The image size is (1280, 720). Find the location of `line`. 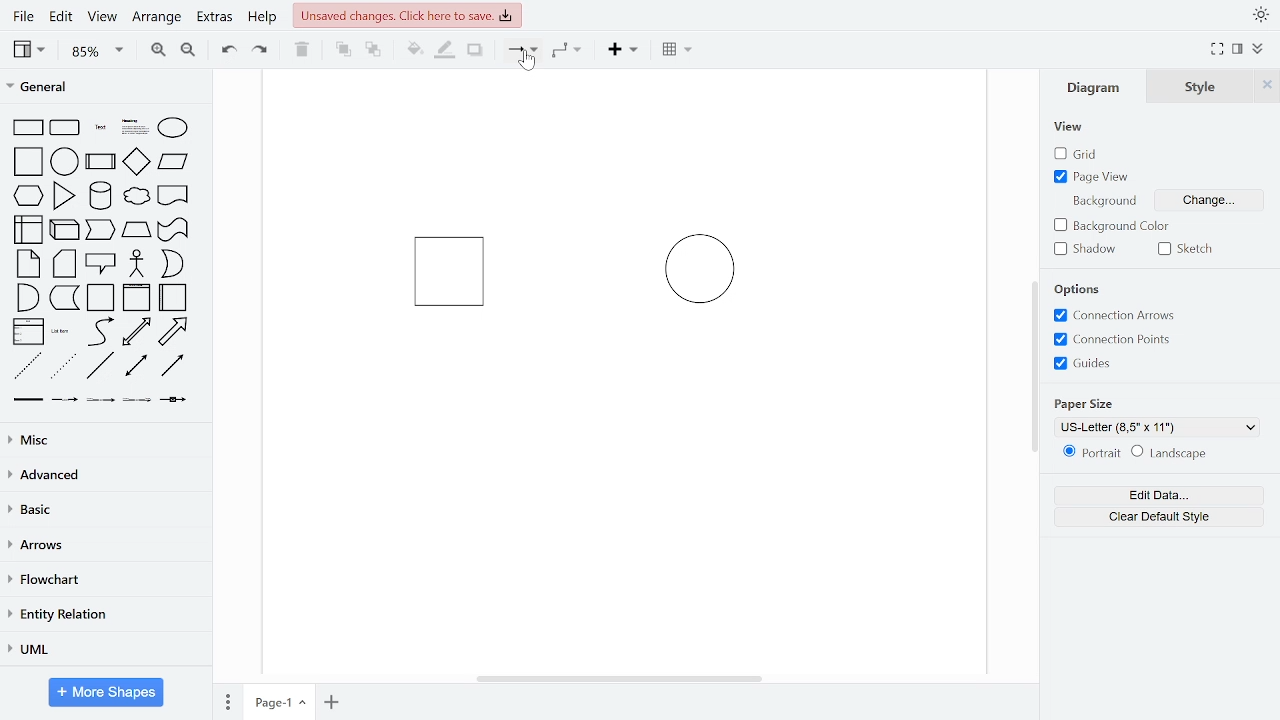

line is located at coordinates (100, 366).